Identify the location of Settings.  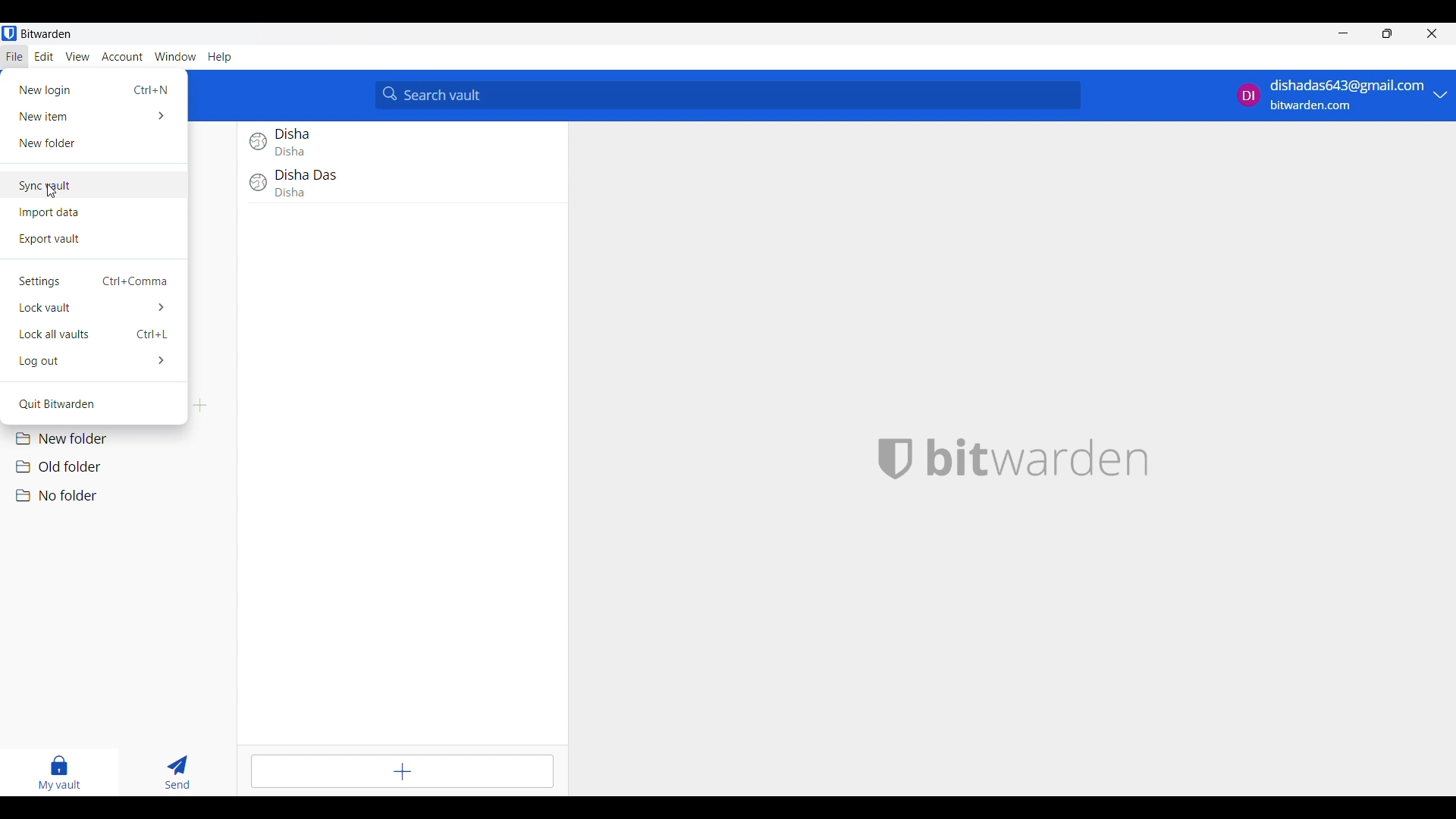
(96, 281).